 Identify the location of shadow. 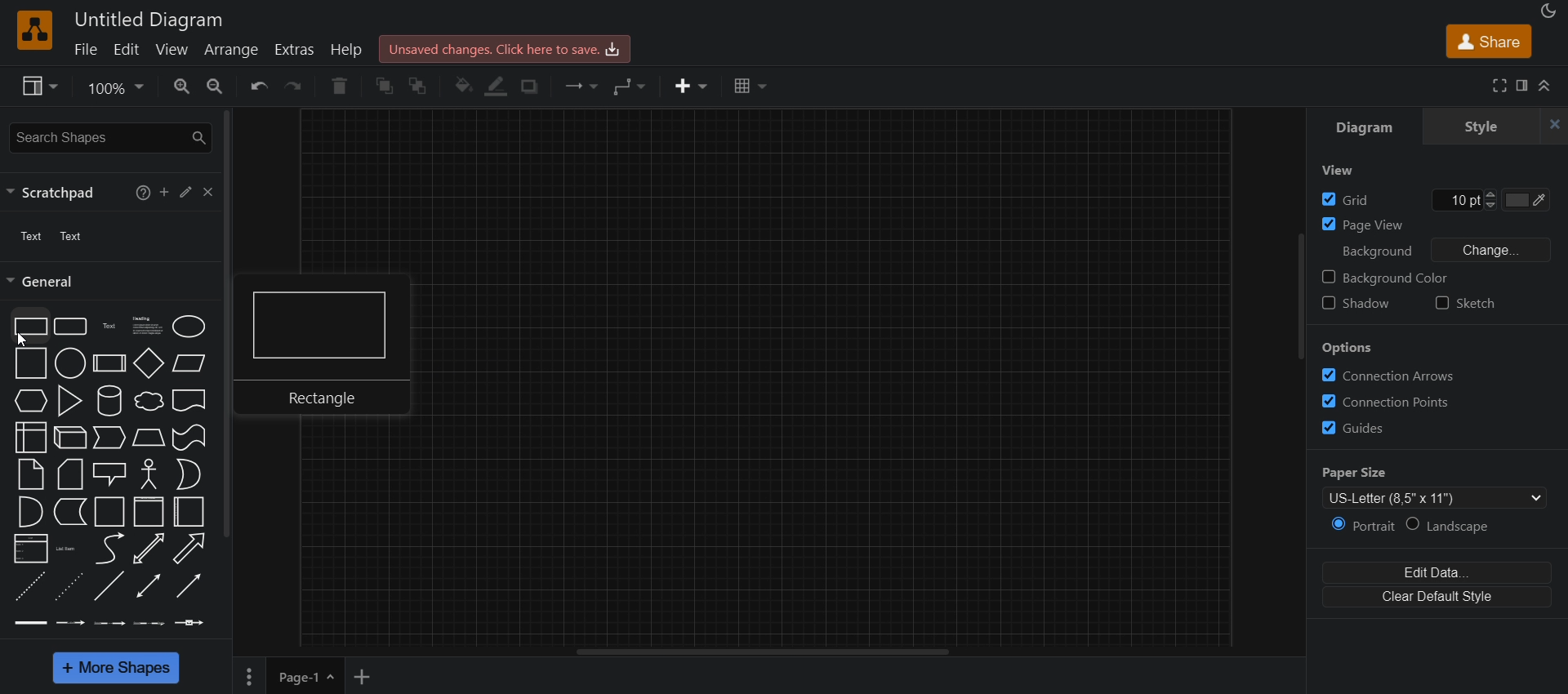
(1361, 304).